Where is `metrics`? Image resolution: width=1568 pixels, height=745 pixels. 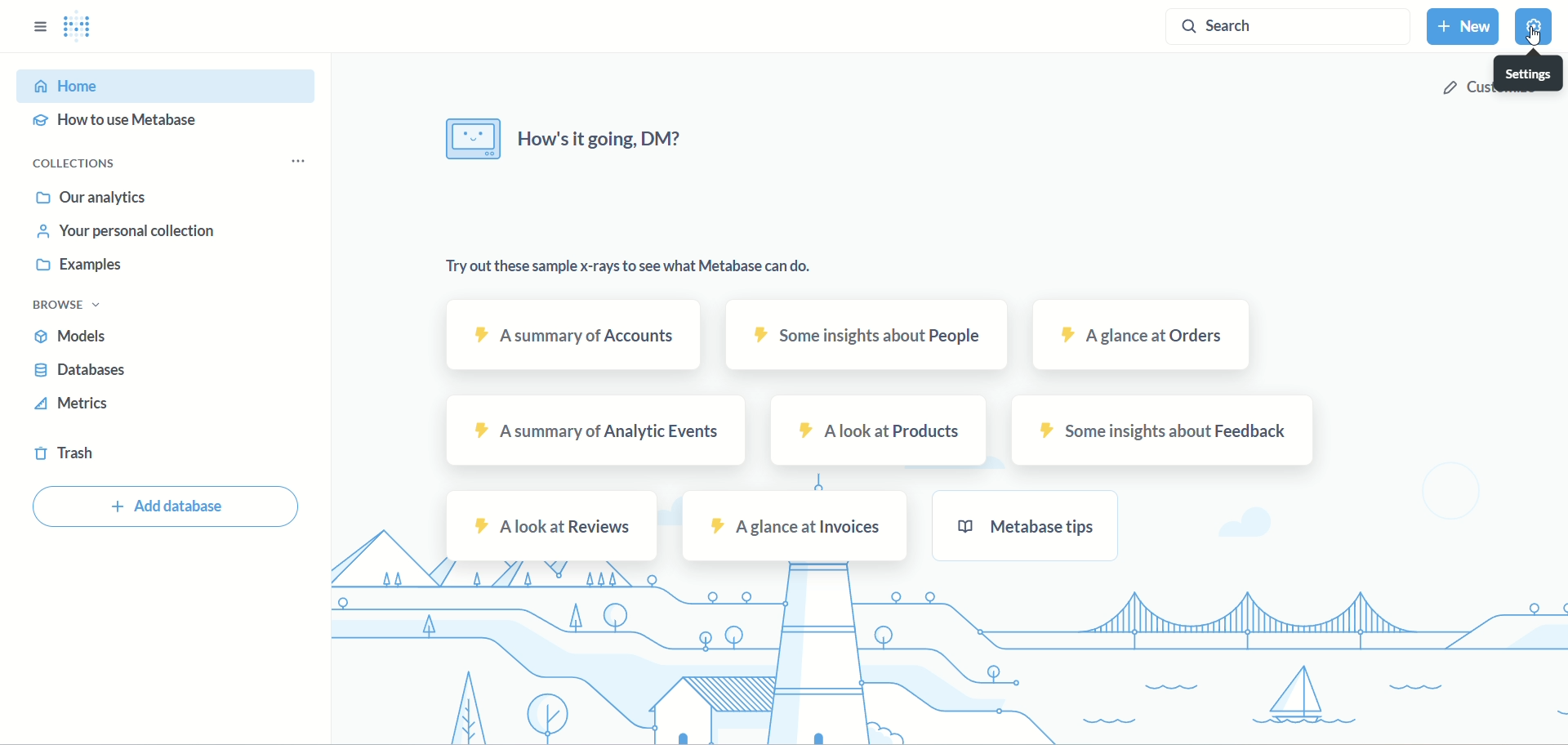 metrics is located at coordinates (71, 403).